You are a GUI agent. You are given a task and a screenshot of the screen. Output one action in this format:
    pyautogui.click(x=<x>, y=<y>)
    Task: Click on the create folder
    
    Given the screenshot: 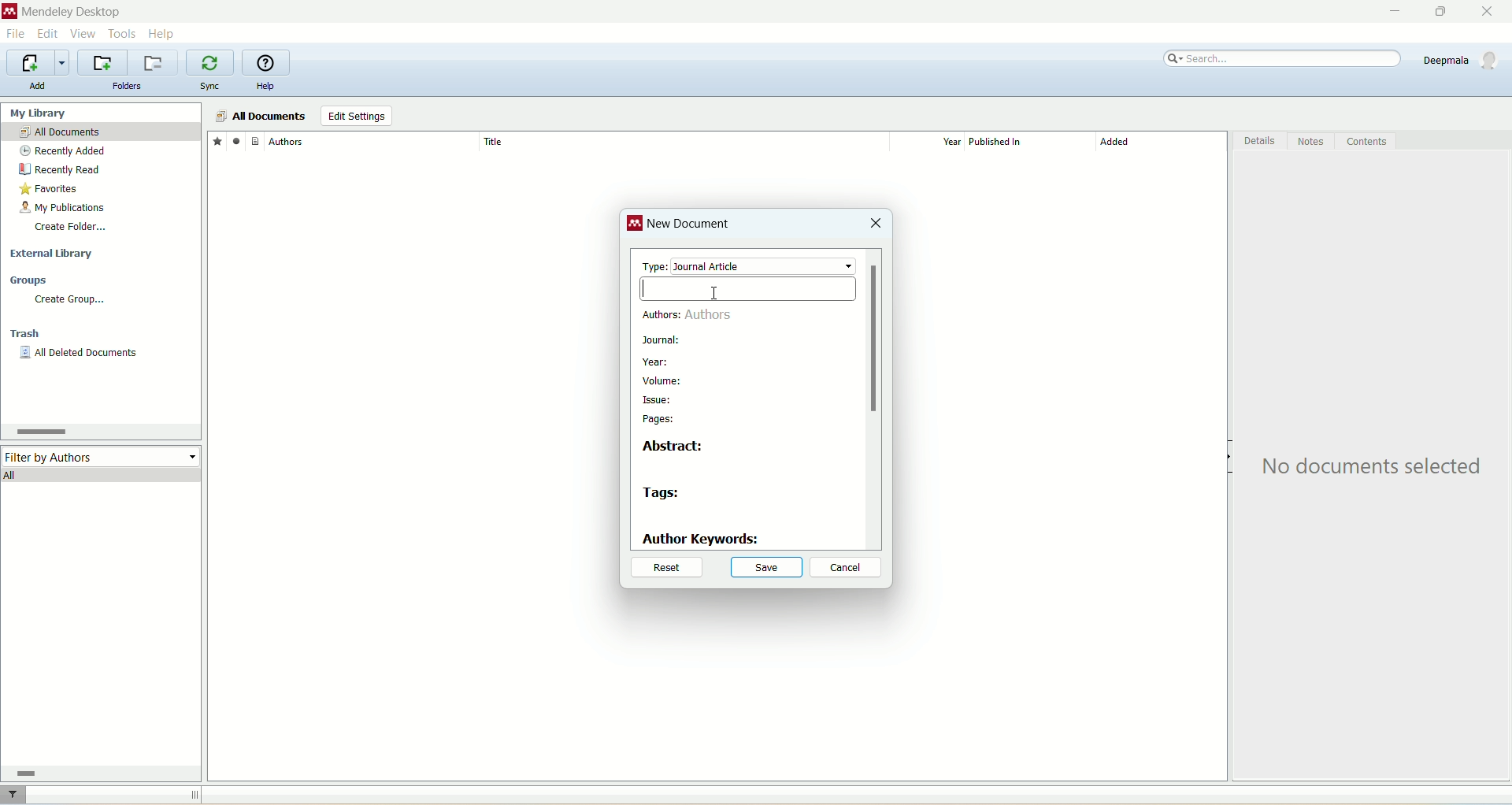 What is the action you would take?
    pyautogui.click(x=70, y=226)
    